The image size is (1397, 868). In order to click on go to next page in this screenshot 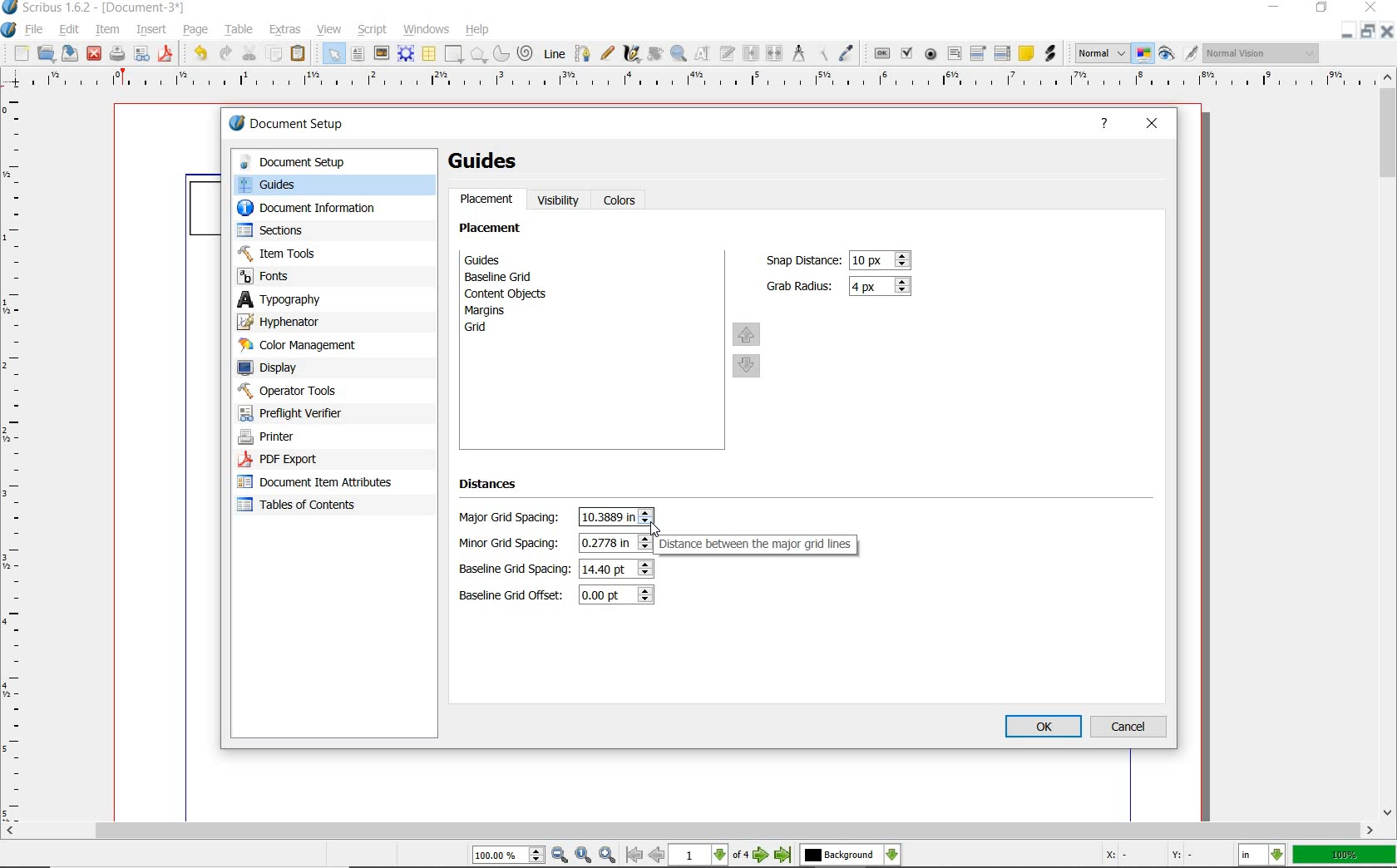, I will do `click(763, 856)`.